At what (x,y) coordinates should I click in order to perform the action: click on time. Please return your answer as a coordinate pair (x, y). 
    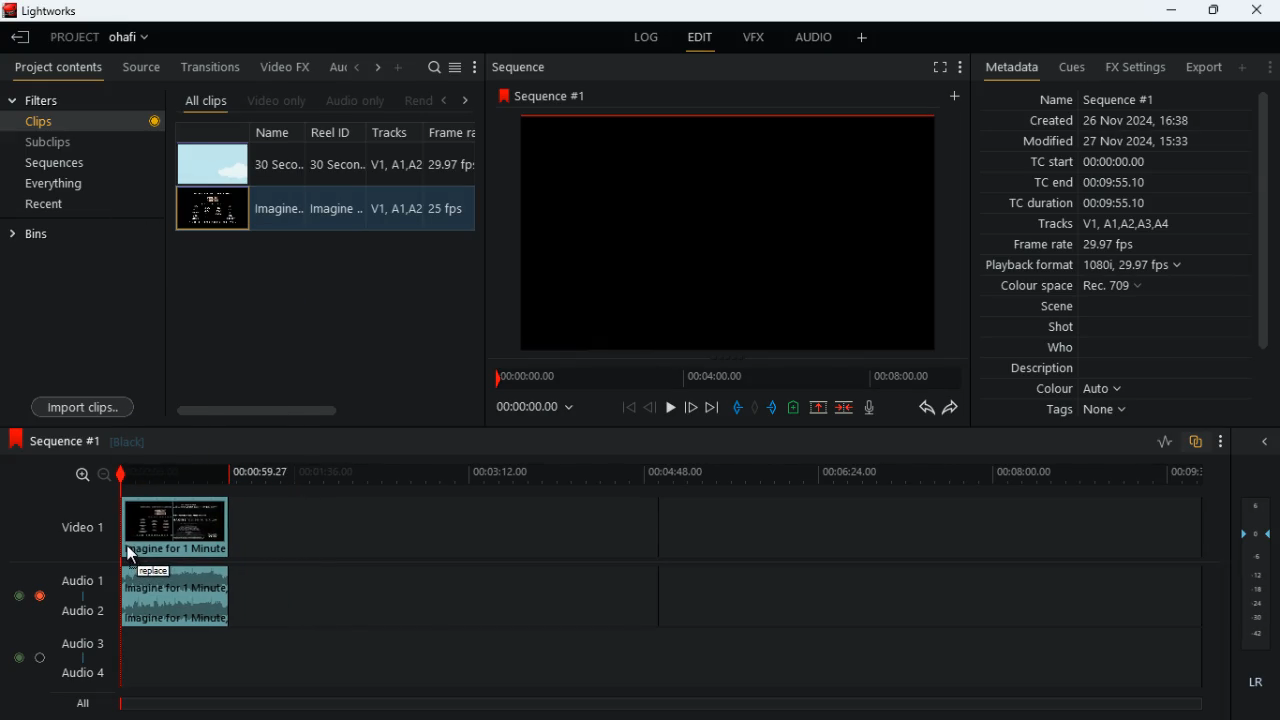
    Looking at the image, I should click on (539, 408).